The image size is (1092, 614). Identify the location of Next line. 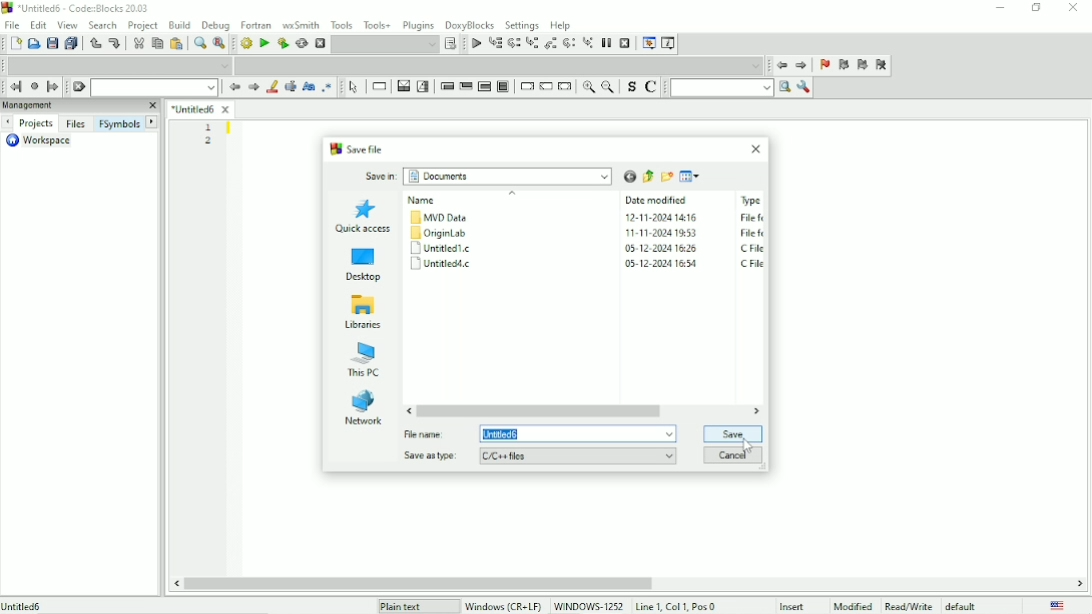
(513, 44).